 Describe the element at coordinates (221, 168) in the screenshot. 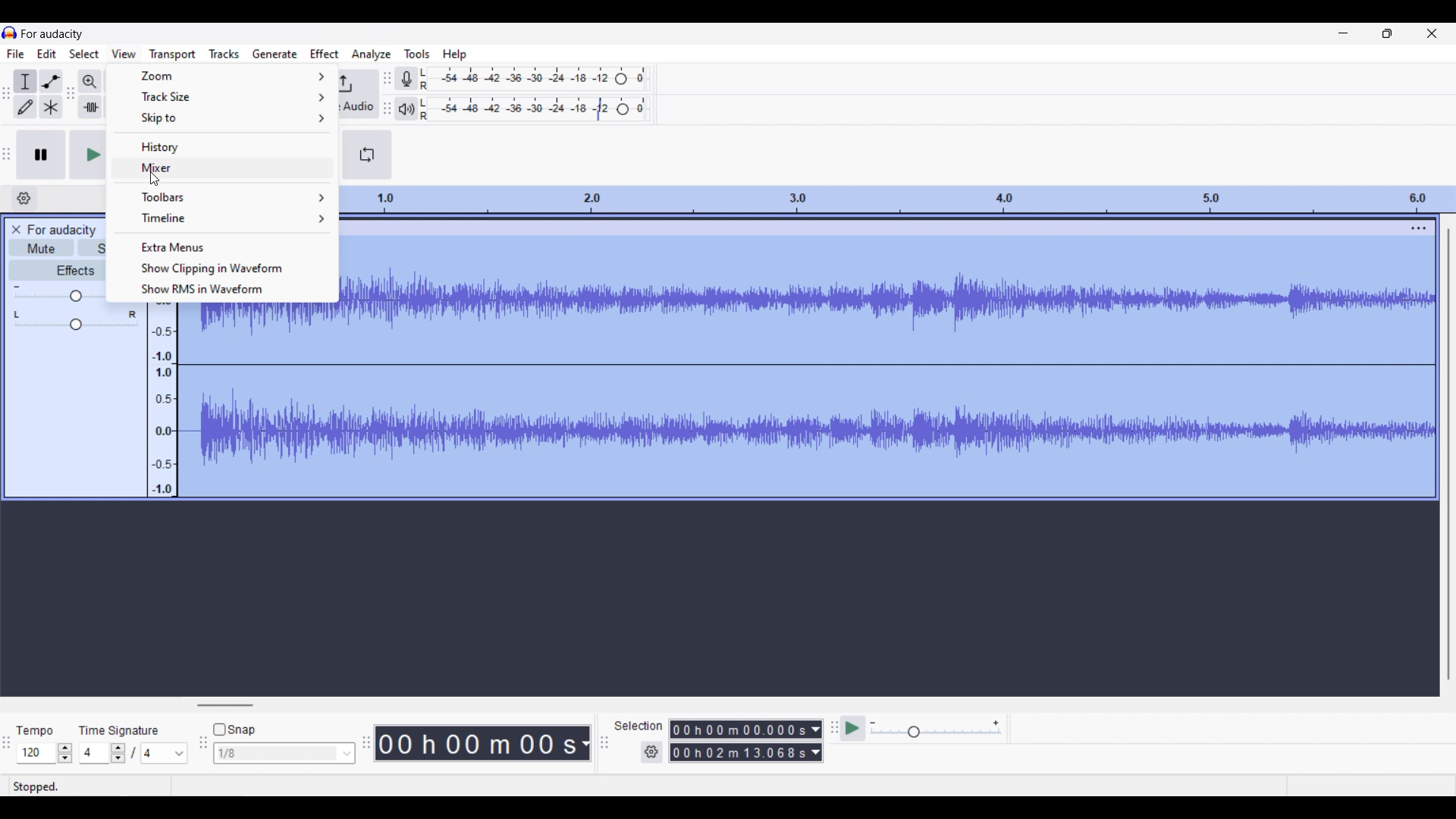

I see `Mixer` at that location.